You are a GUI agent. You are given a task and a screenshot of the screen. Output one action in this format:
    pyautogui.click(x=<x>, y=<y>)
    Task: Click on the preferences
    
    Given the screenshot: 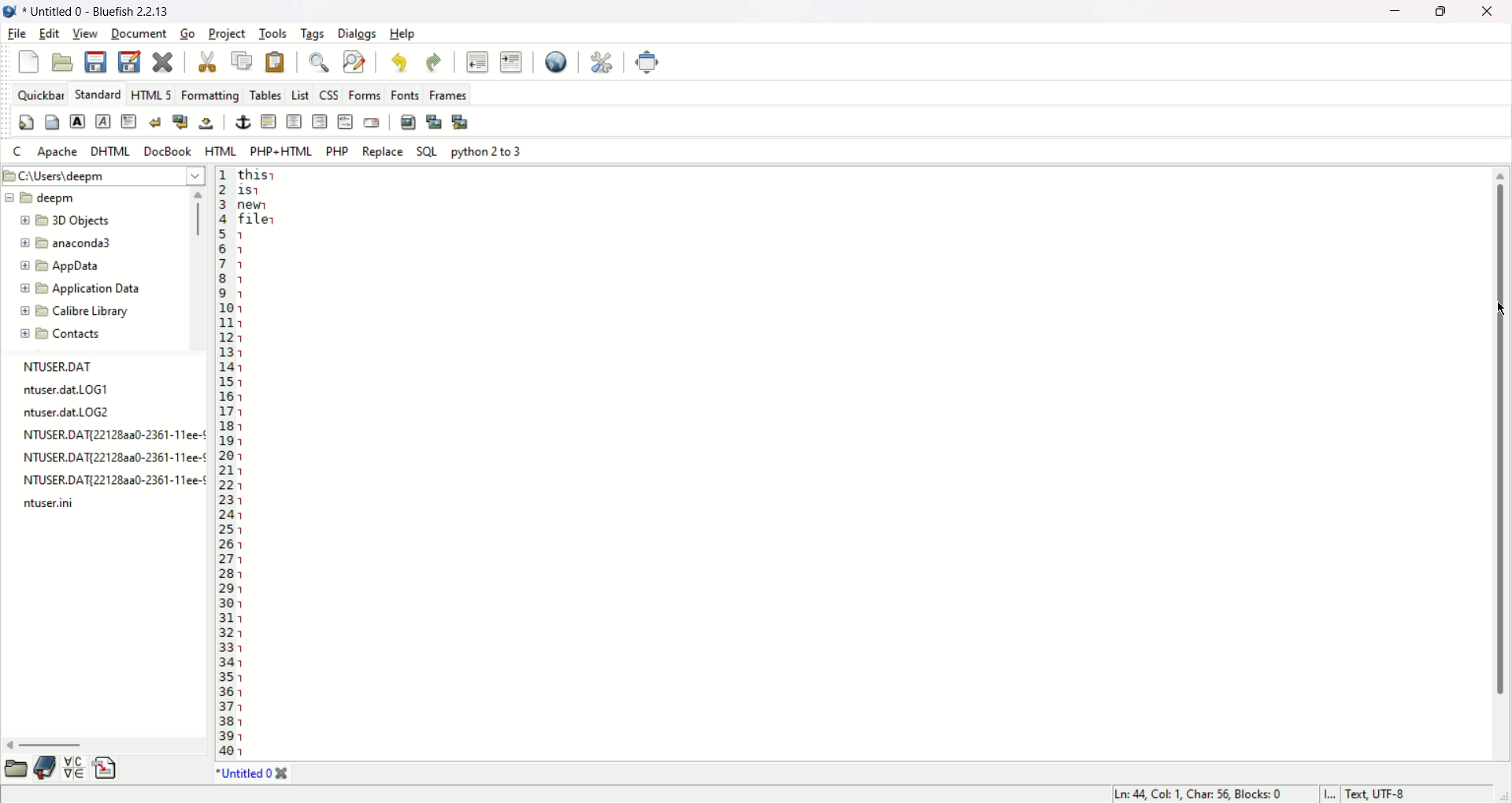 What is the action you would take?
    pyautogui.click(x=600, y=63)
    